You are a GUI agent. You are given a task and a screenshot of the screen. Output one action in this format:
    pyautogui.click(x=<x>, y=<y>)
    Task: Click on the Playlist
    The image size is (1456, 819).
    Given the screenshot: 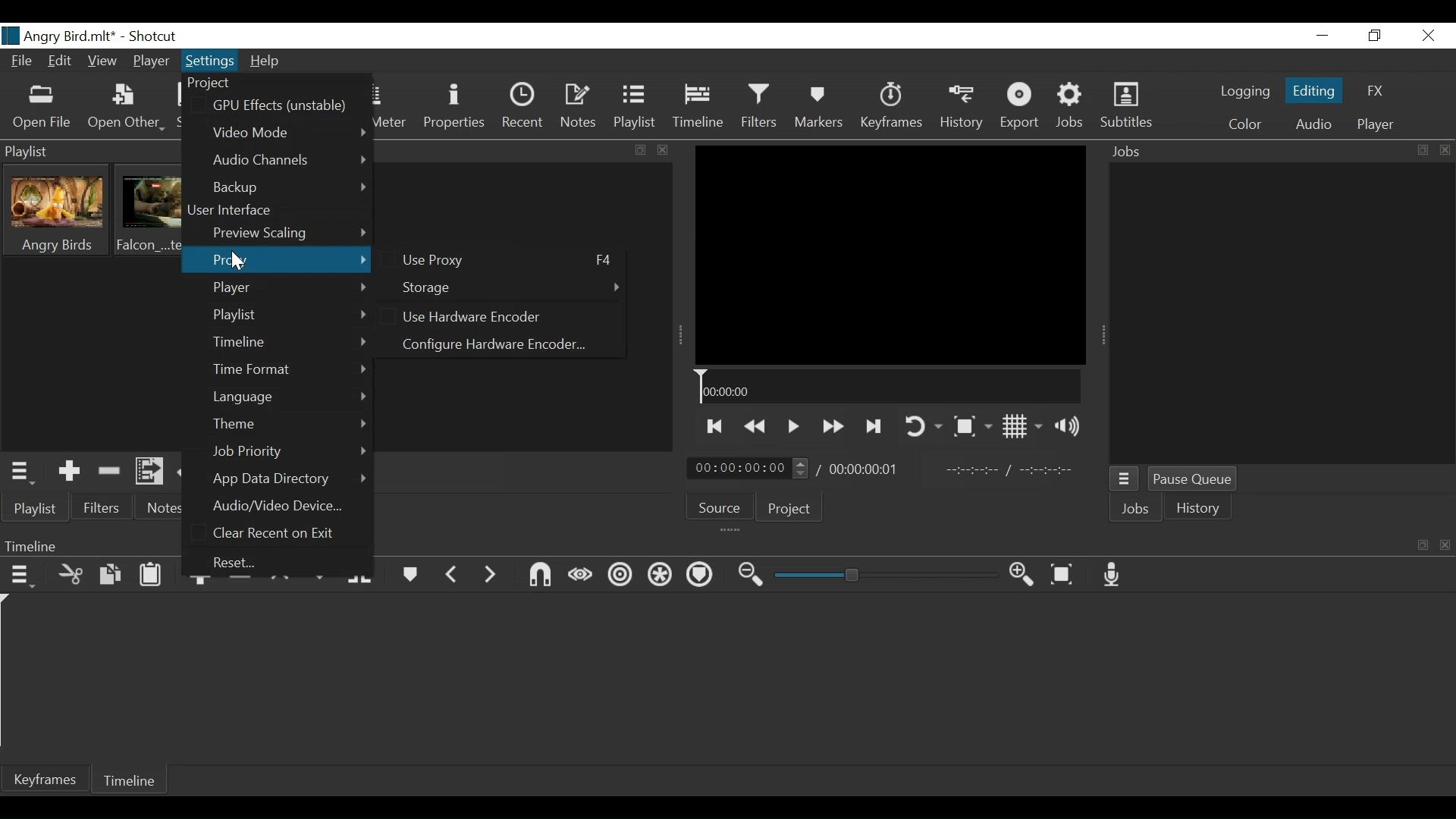 What is the action you would take?
    pyautogui.click(x=635, y=106)
    